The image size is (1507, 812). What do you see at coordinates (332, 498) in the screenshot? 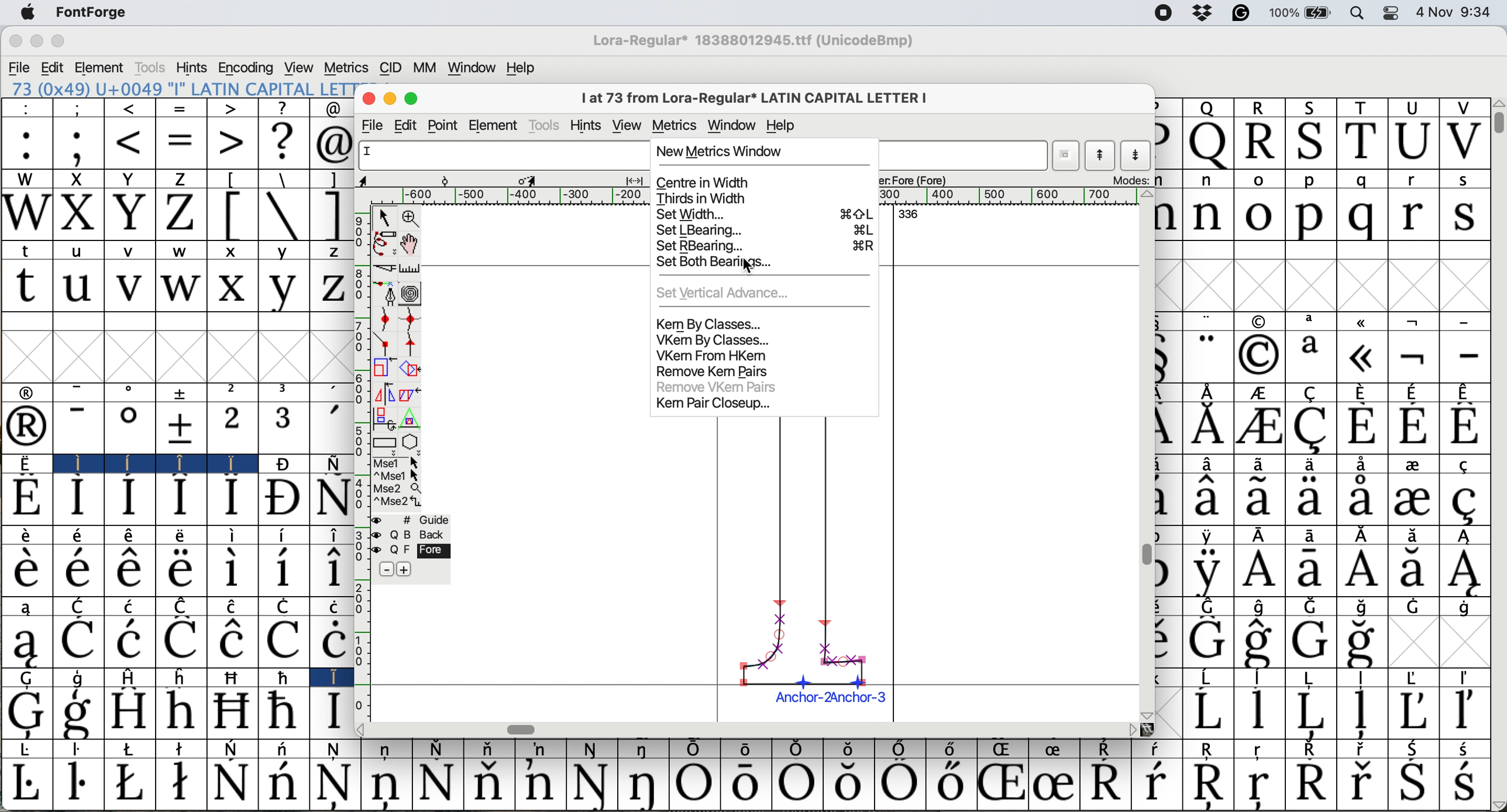
I see `Symbol` at bounding box center [332, 498].